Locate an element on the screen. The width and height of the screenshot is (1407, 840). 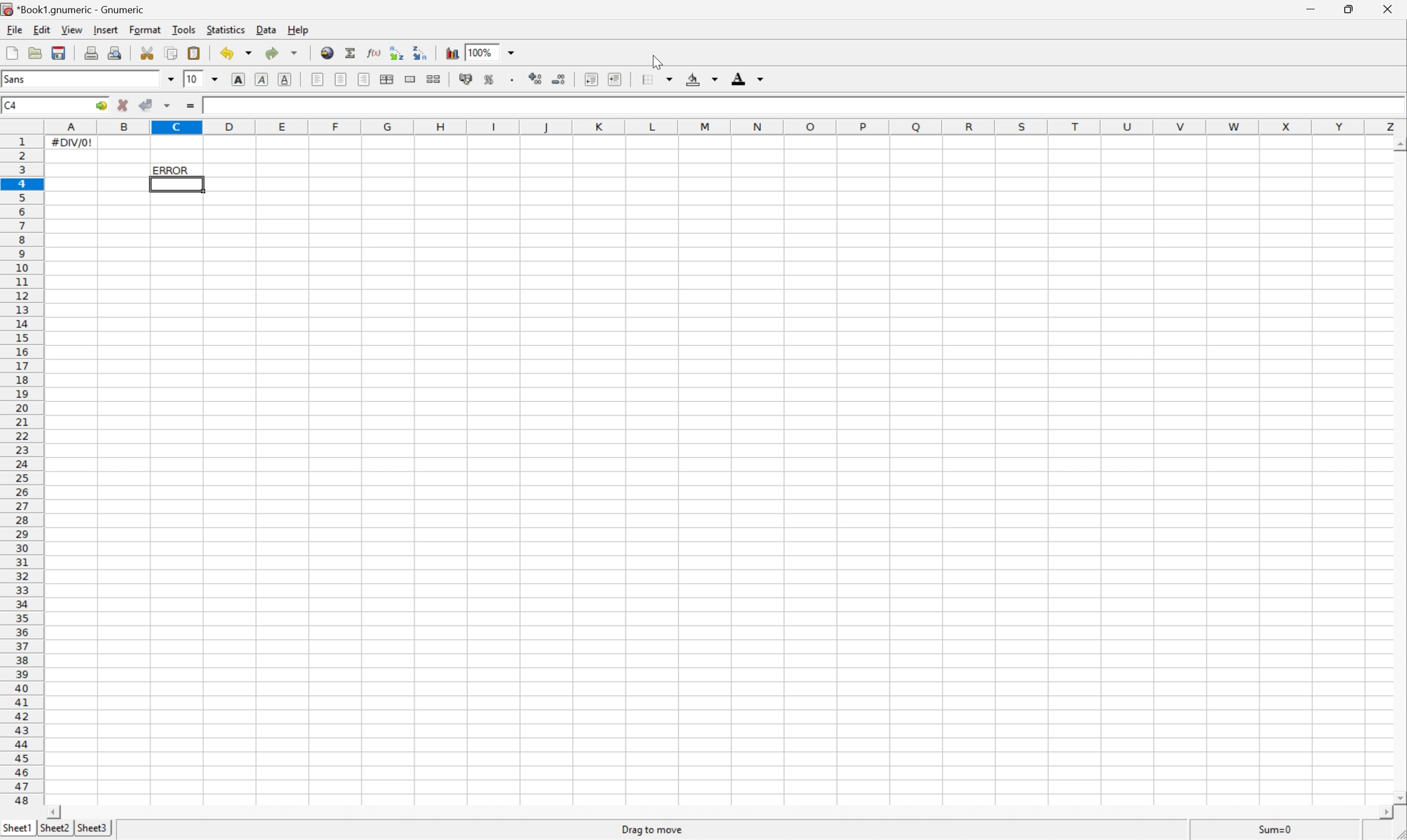
Drop down is located at coordinates (669, 79).